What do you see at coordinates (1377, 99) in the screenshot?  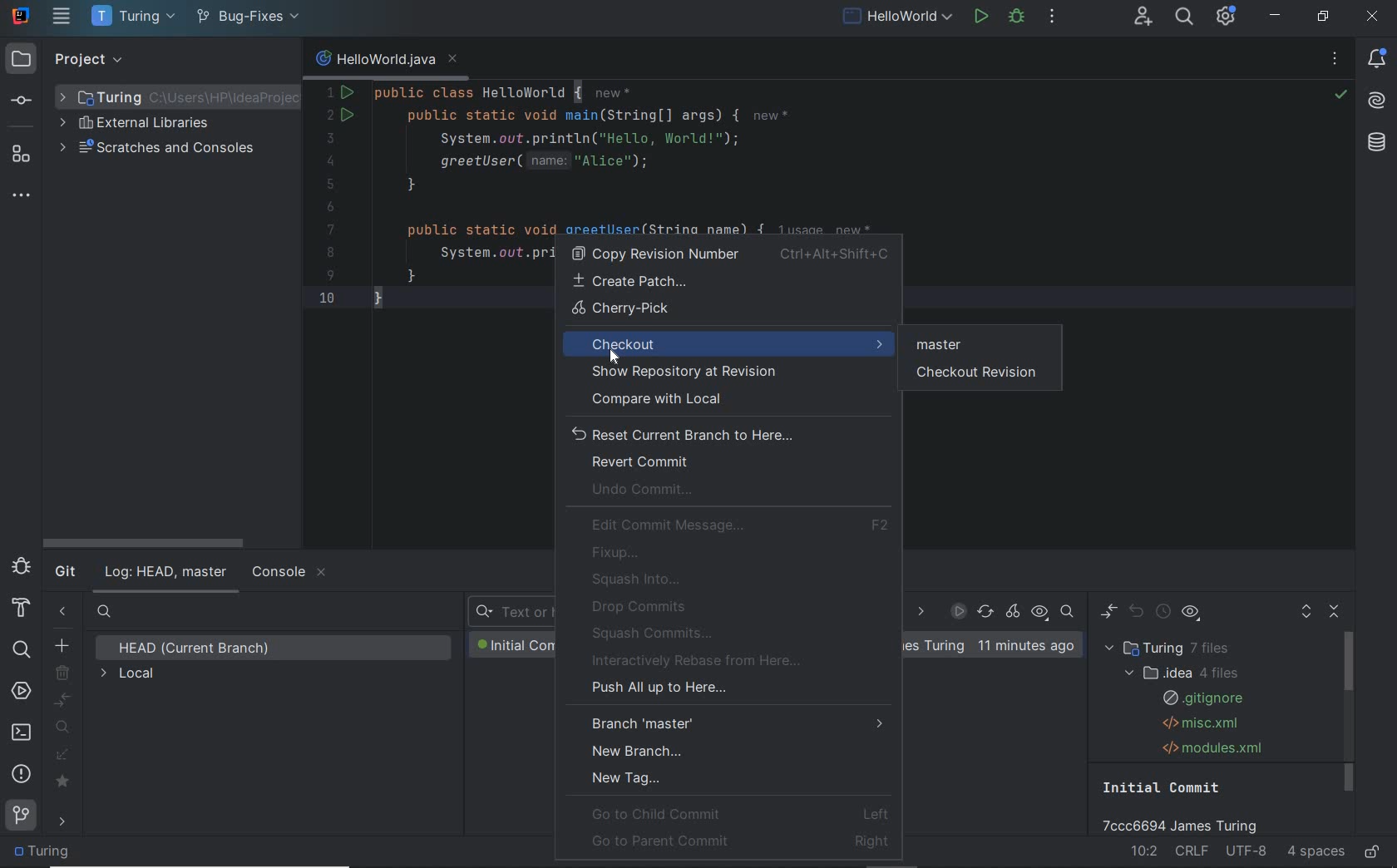 I see `AI Assistant` at bounding box center [1377, 99].